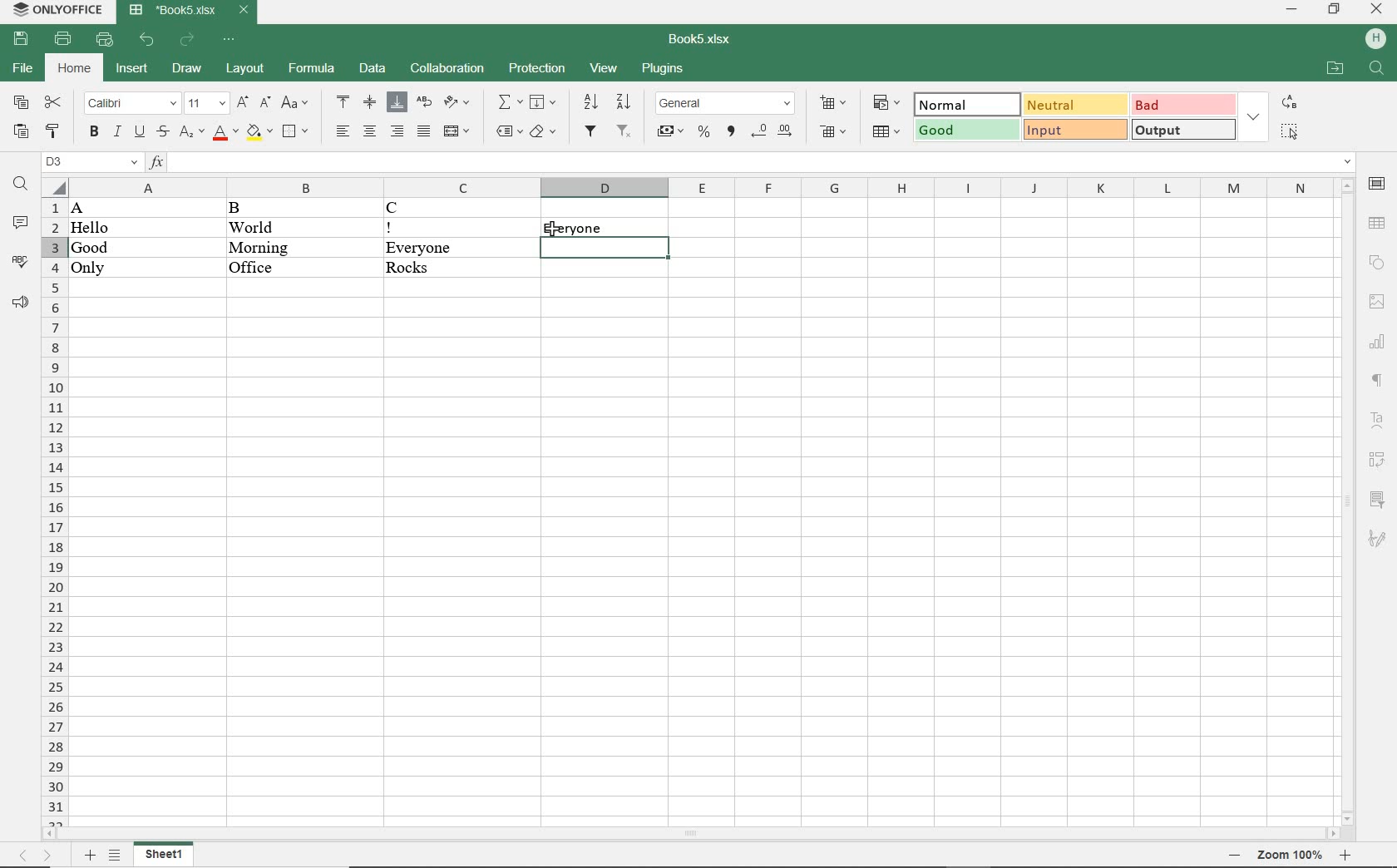 The width and height of the screenshot is (1397, 868). What do you see at coordinates (55, 102) in the screenshot?
I see `cut` at bounding box center [55, 102].